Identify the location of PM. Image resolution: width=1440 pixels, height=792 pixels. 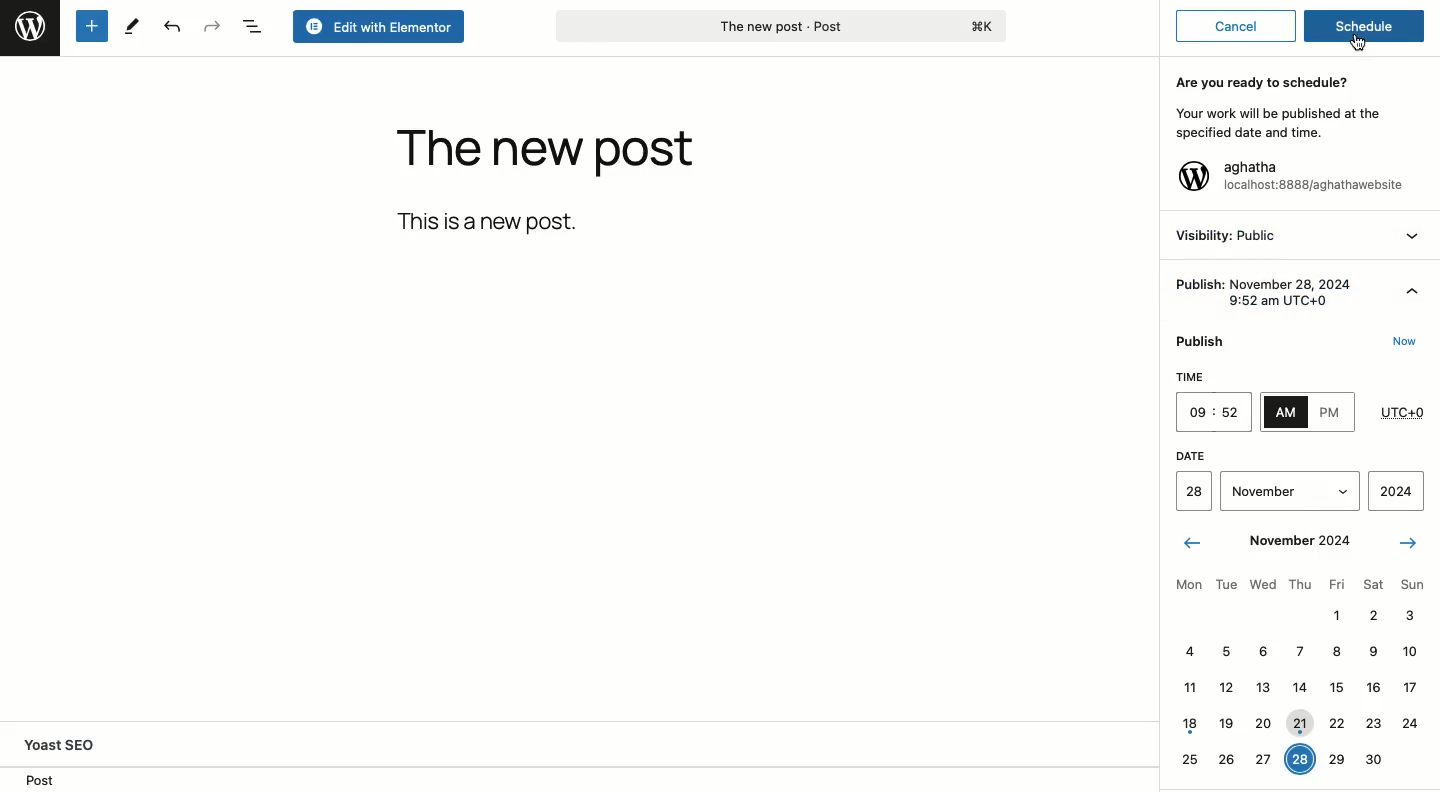
(1331, 413).